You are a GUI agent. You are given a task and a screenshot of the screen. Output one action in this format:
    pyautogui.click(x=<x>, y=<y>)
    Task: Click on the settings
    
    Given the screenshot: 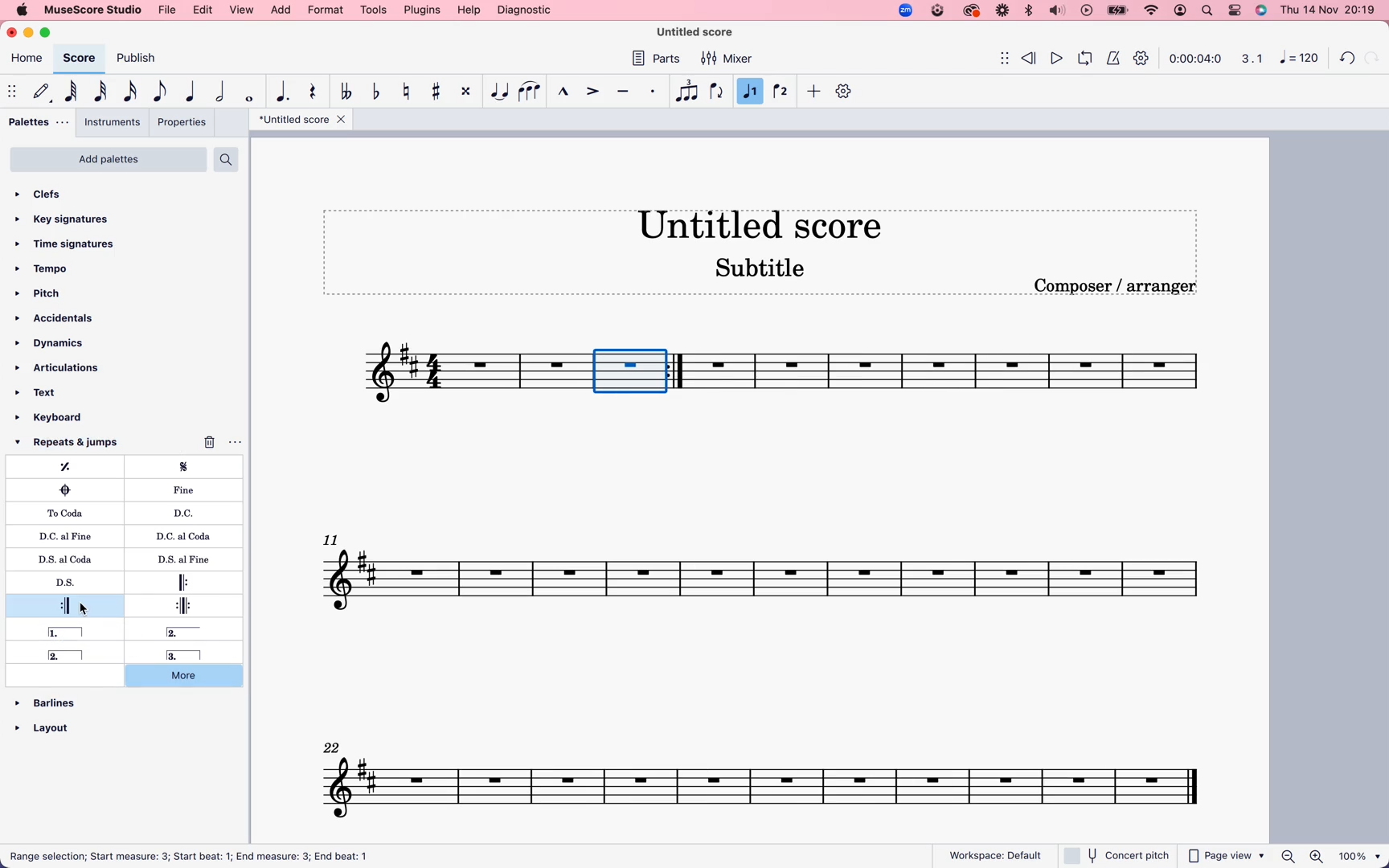 What is the action you would take?
    pyautogui.click(x=1144, y=60)
    